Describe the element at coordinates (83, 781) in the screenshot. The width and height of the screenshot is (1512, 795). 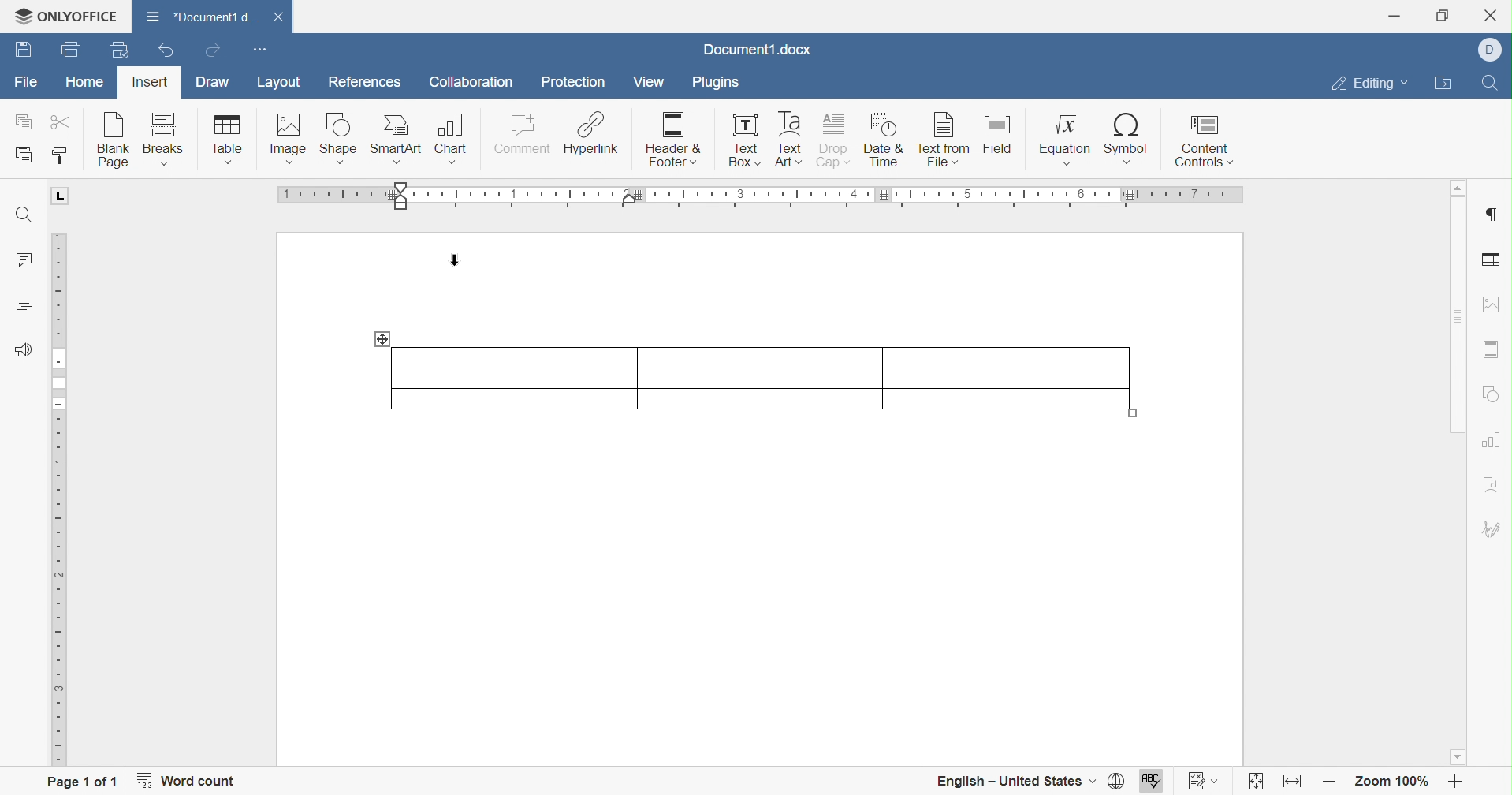
I see `Page 1 of 1` at that location.